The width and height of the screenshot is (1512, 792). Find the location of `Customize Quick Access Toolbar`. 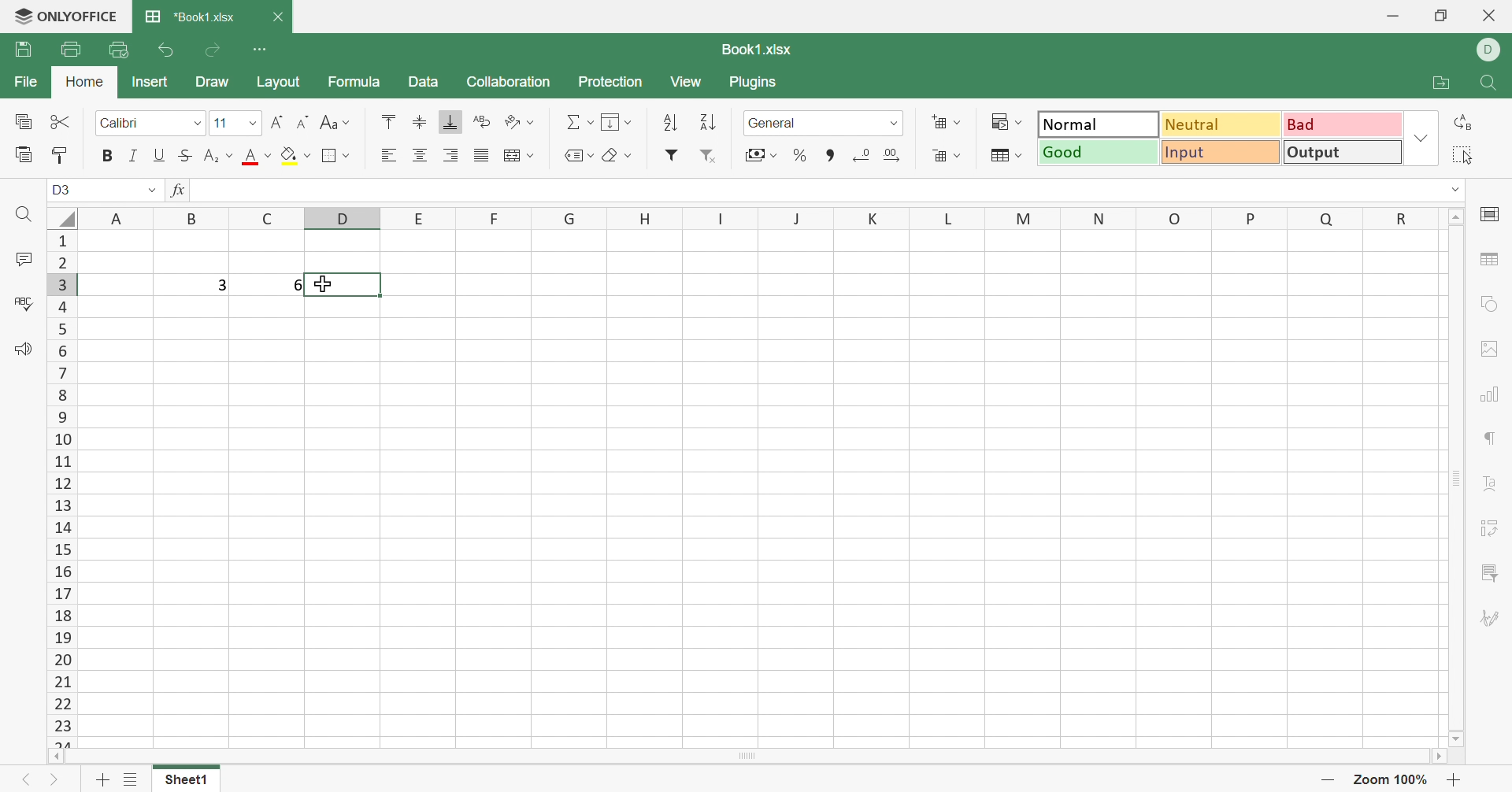

Customize Quick Access Toolbar is located at coordinates (258, 48).